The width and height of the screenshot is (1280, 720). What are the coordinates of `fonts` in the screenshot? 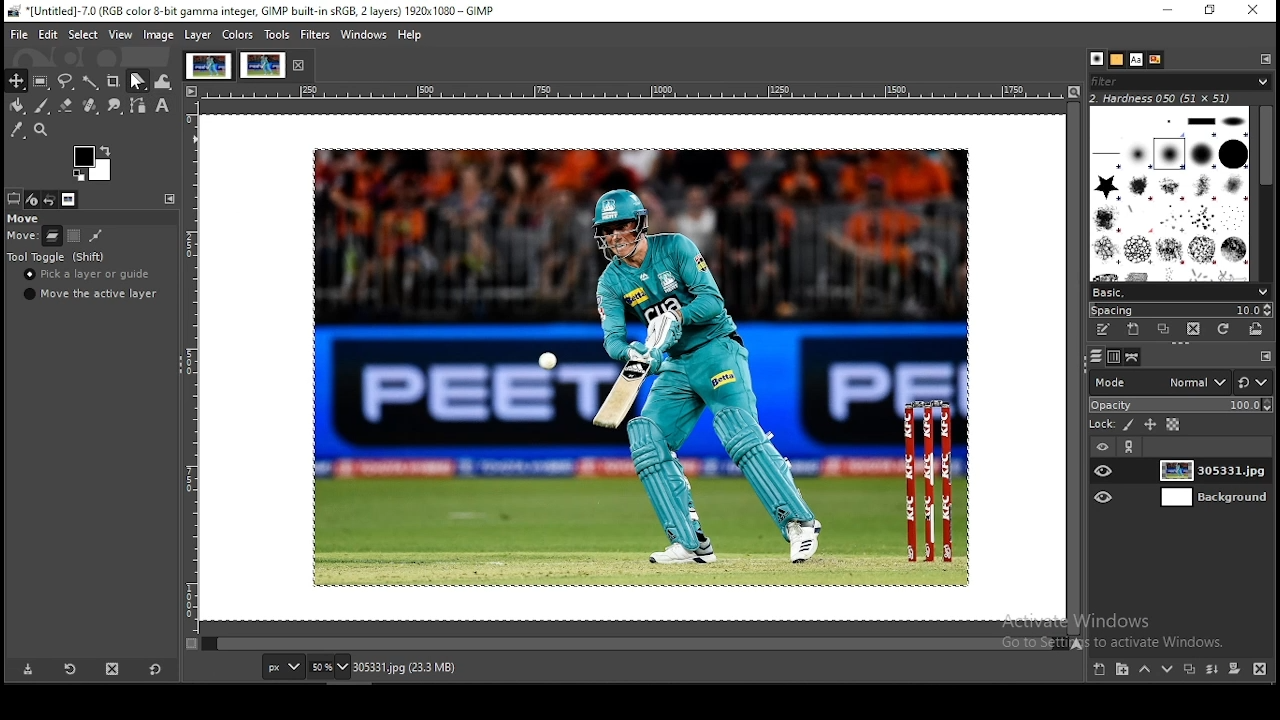 It's located at (1136, 60).